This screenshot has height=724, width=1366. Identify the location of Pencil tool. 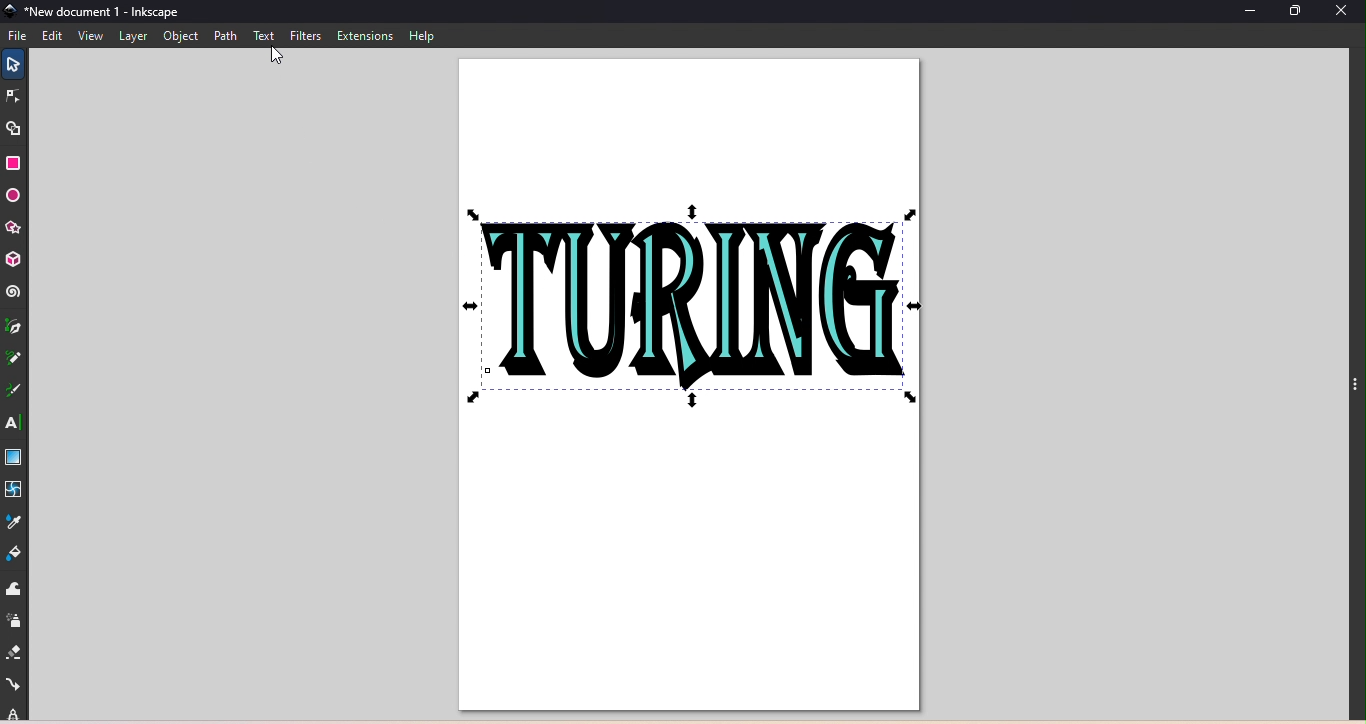
(14, 363).